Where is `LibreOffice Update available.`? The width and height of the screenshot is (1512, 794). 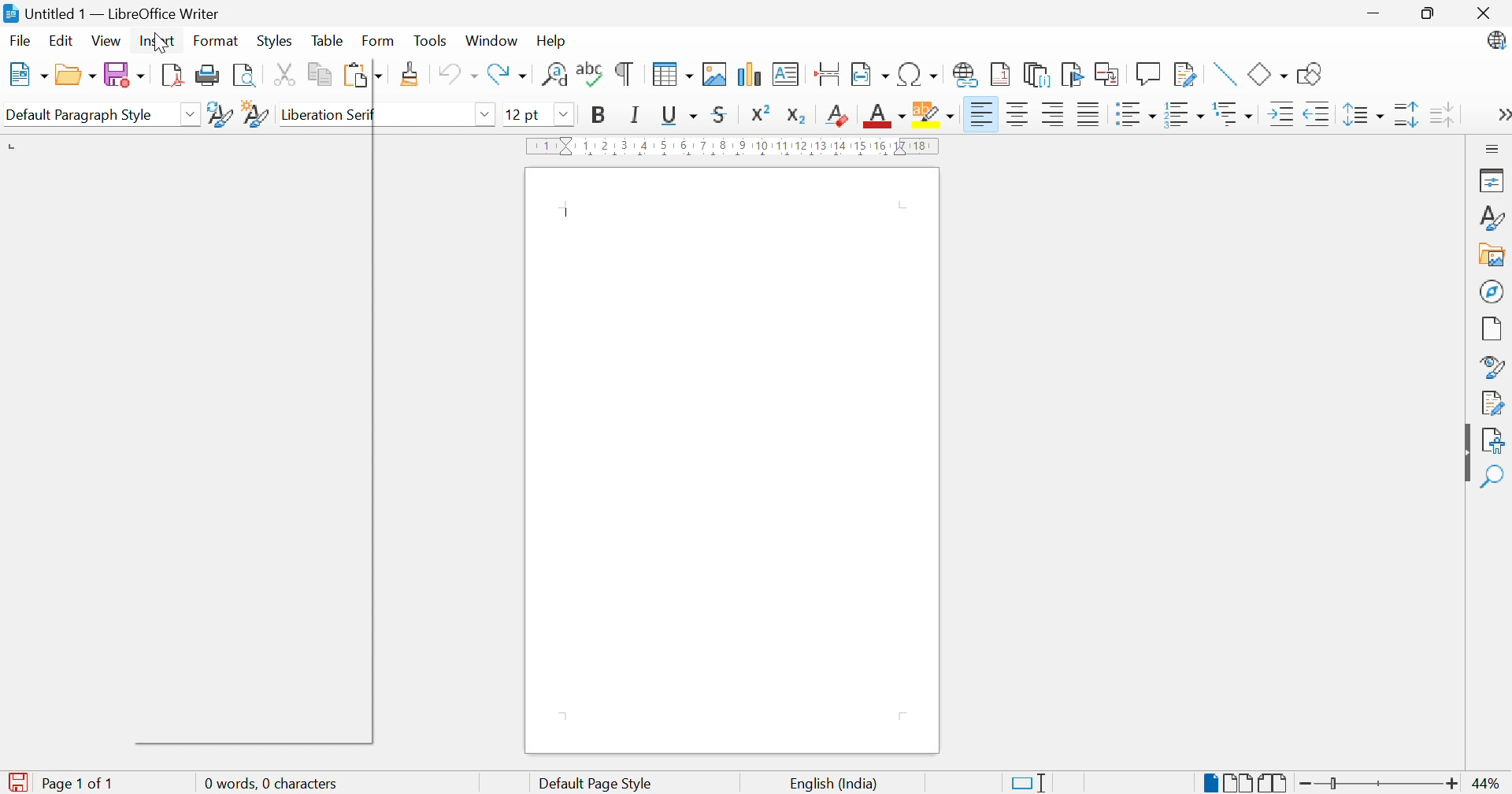 LibreOffice Update available. is located at coordinates (1495, 40).